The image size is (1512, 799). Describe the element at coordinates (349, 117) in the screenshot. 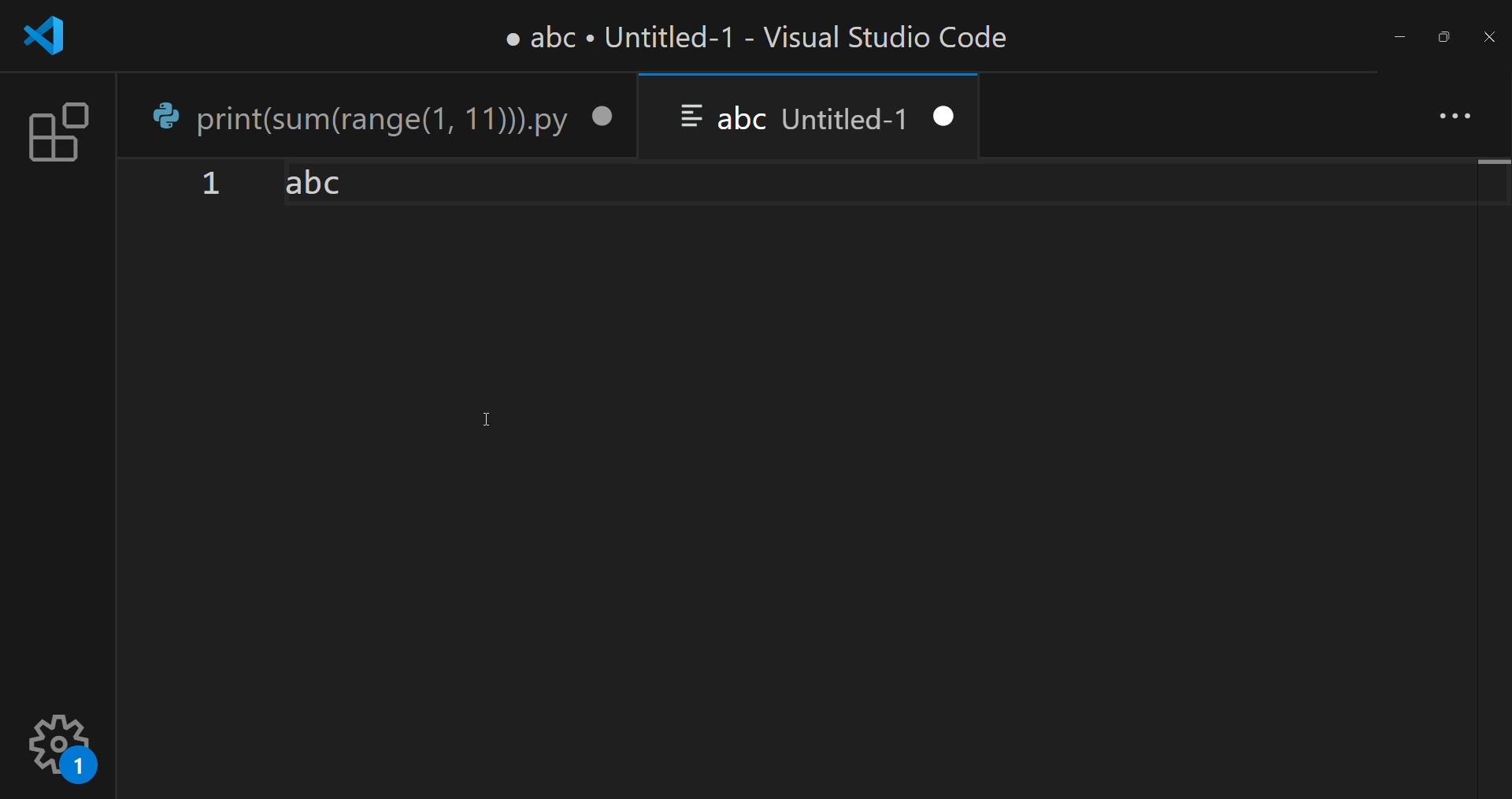

I see `print(sum(range(1, 11))).py` at that location.